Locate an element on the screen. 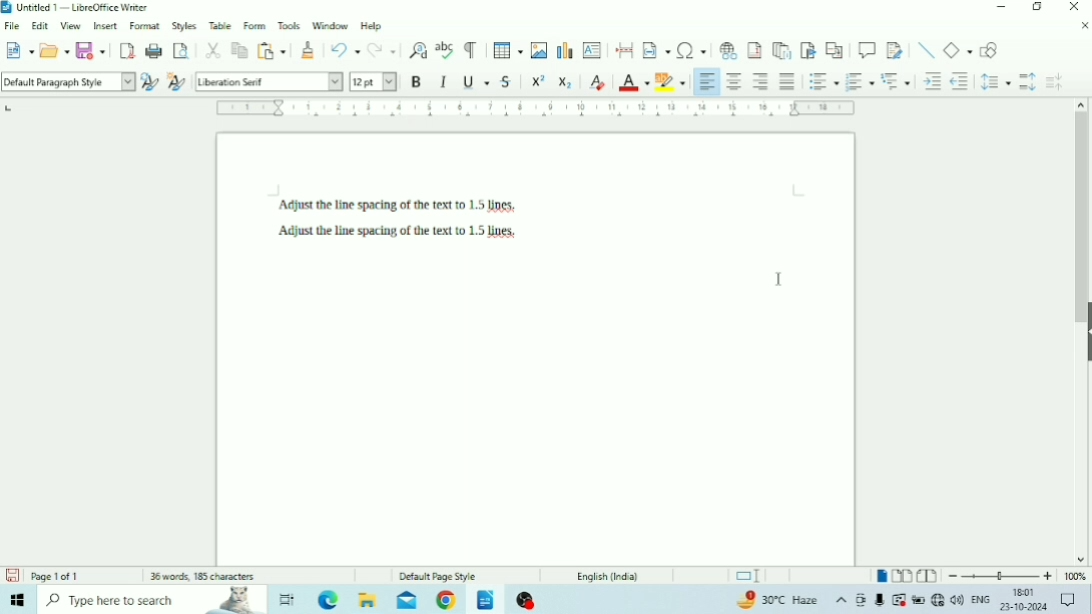 The height and width of the screenshot is (614, 1092). Update Selected Style is located at coordinates (149, 80).